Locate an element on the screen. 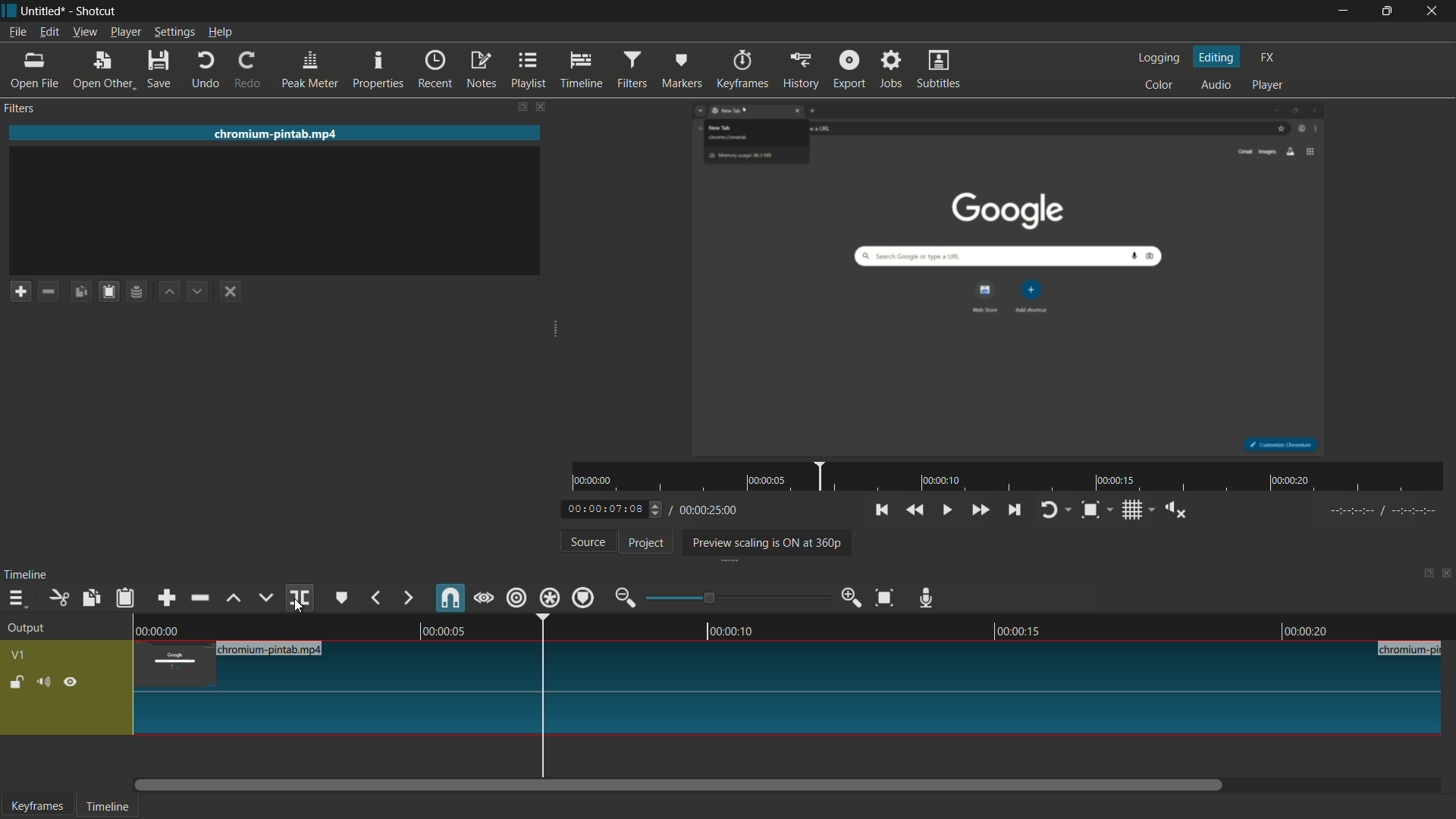 This screenshot has width=1456, height=819. logging is located at coordinates (1157, 59).